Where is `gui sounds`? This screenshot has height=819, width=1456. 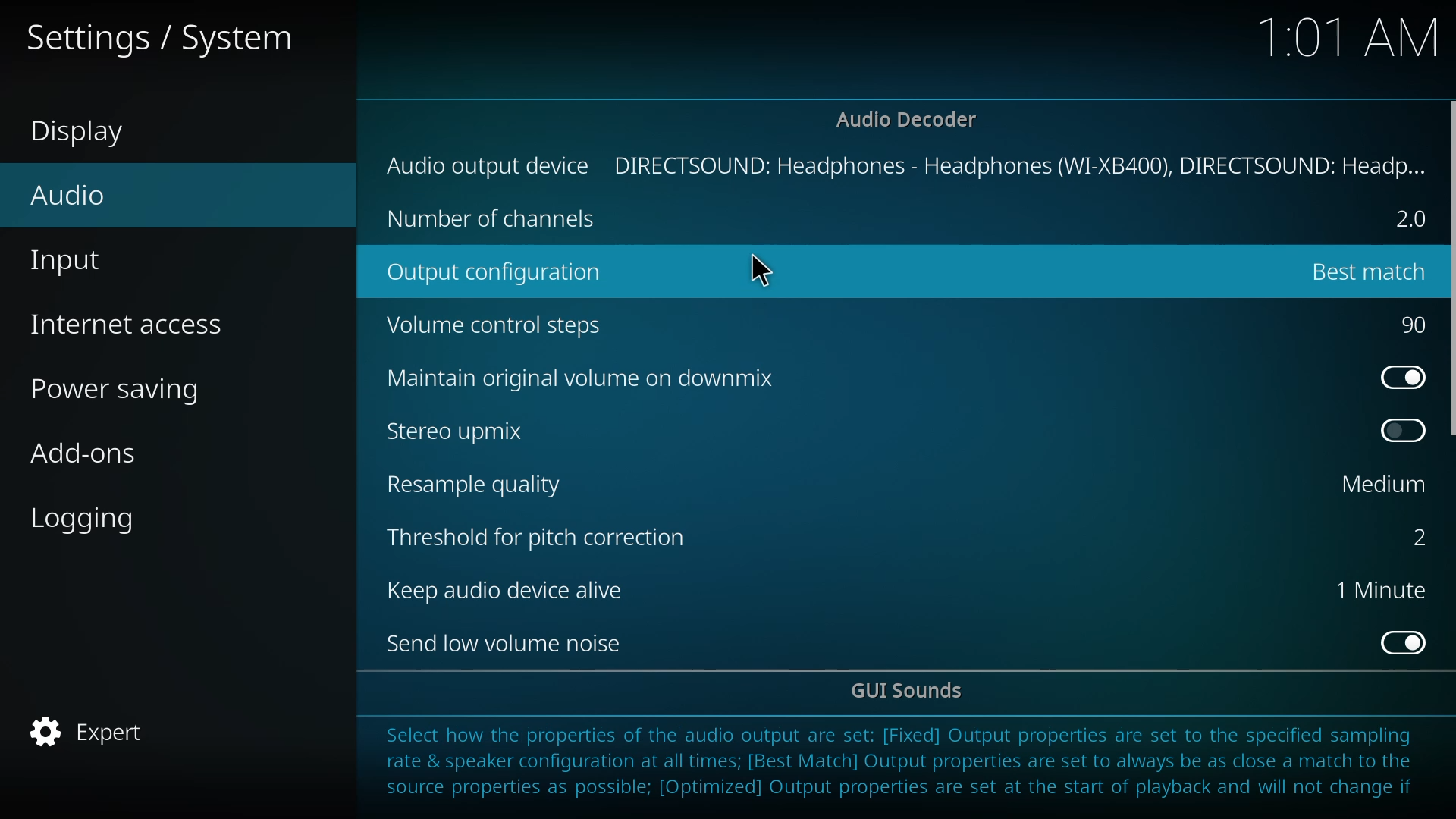 gui sounds is located at coordinates (911, 692).